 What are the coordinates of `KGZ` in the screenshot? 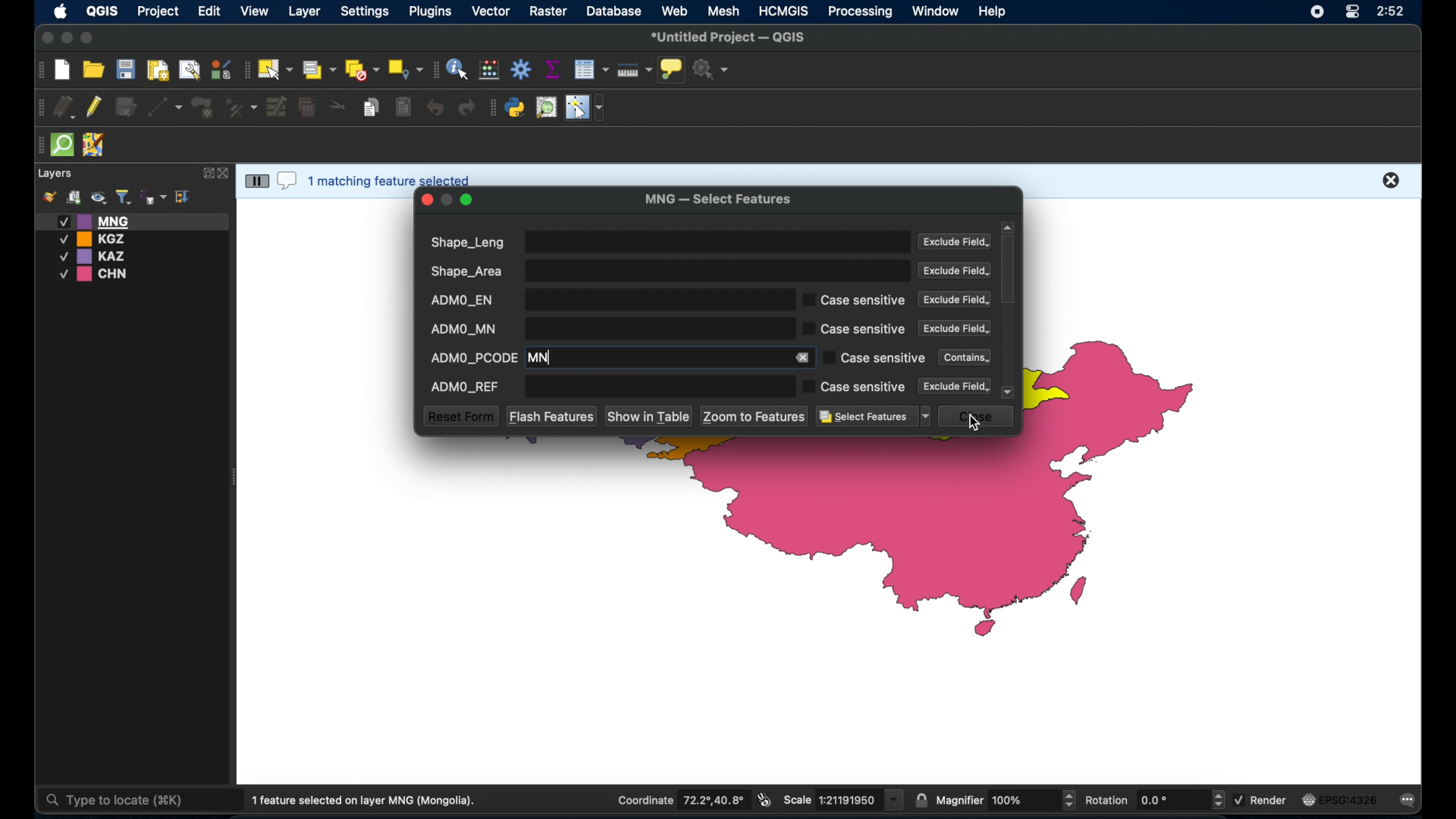 It's located at (96, 239).